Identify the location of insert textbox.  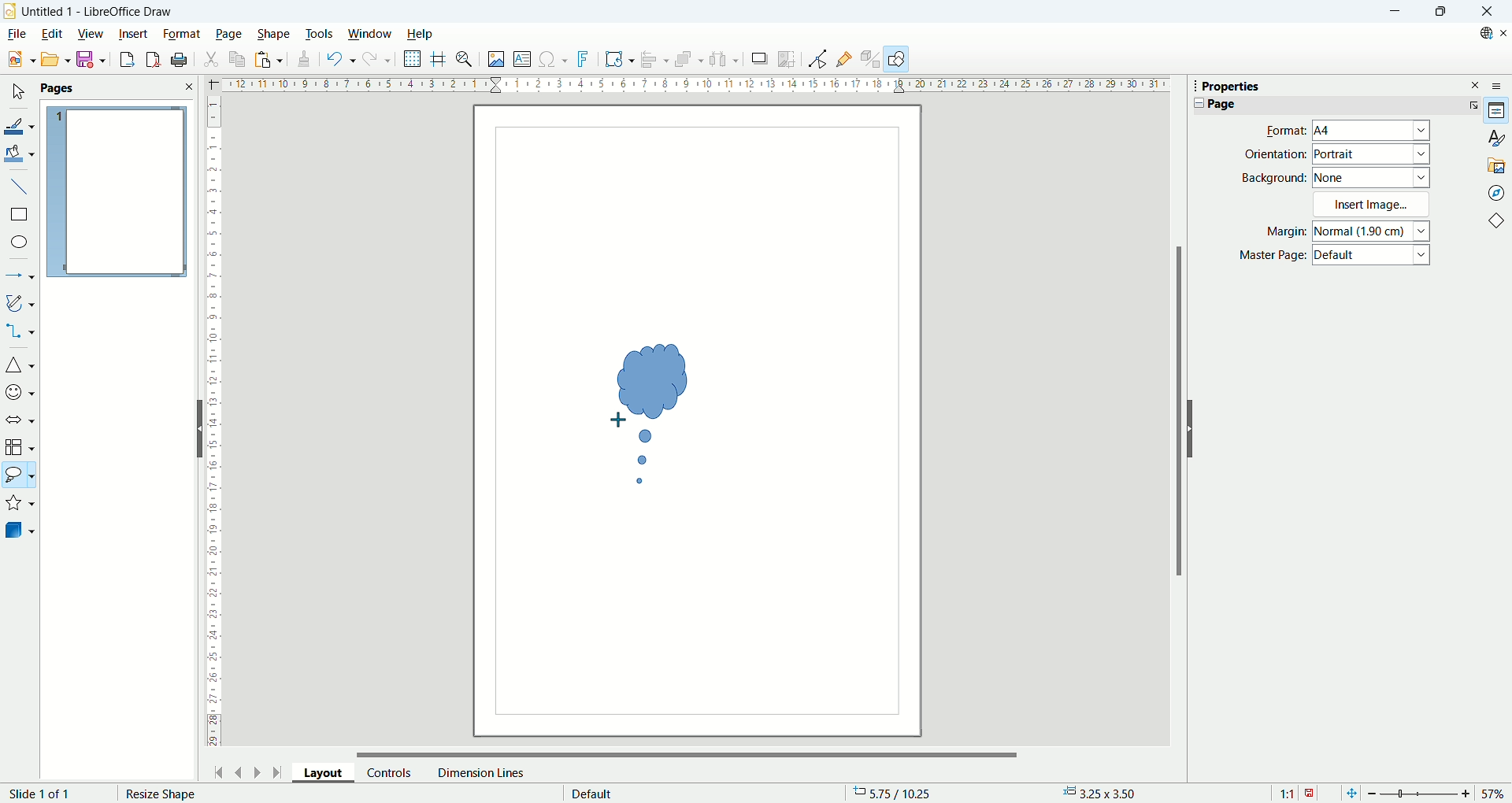
(524, 60).